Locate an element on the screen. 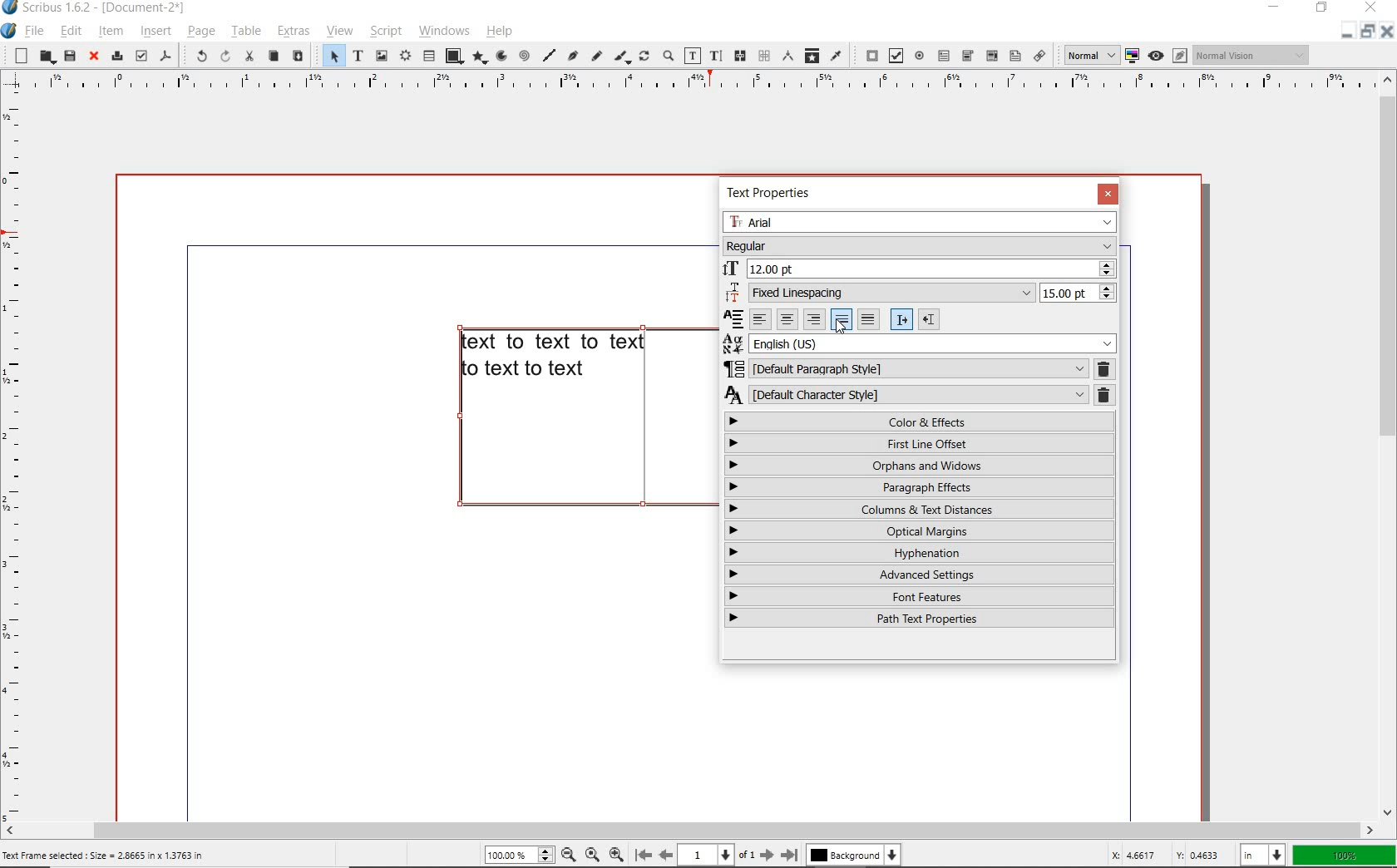  PARAGRAPH STYLE is located at coordinates (906, 367).